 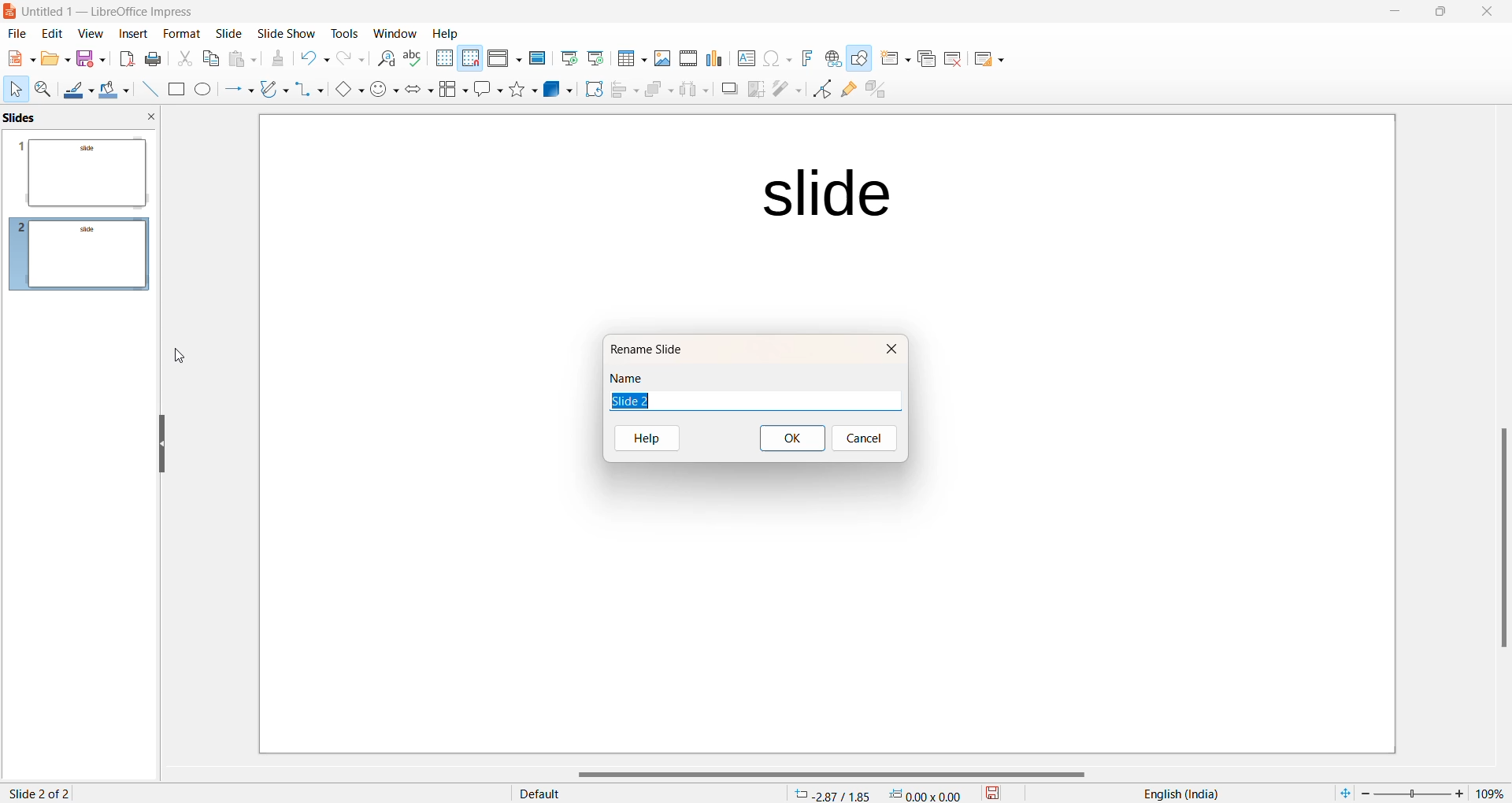 I want to click on Rotate, so click(x=590, y=91).